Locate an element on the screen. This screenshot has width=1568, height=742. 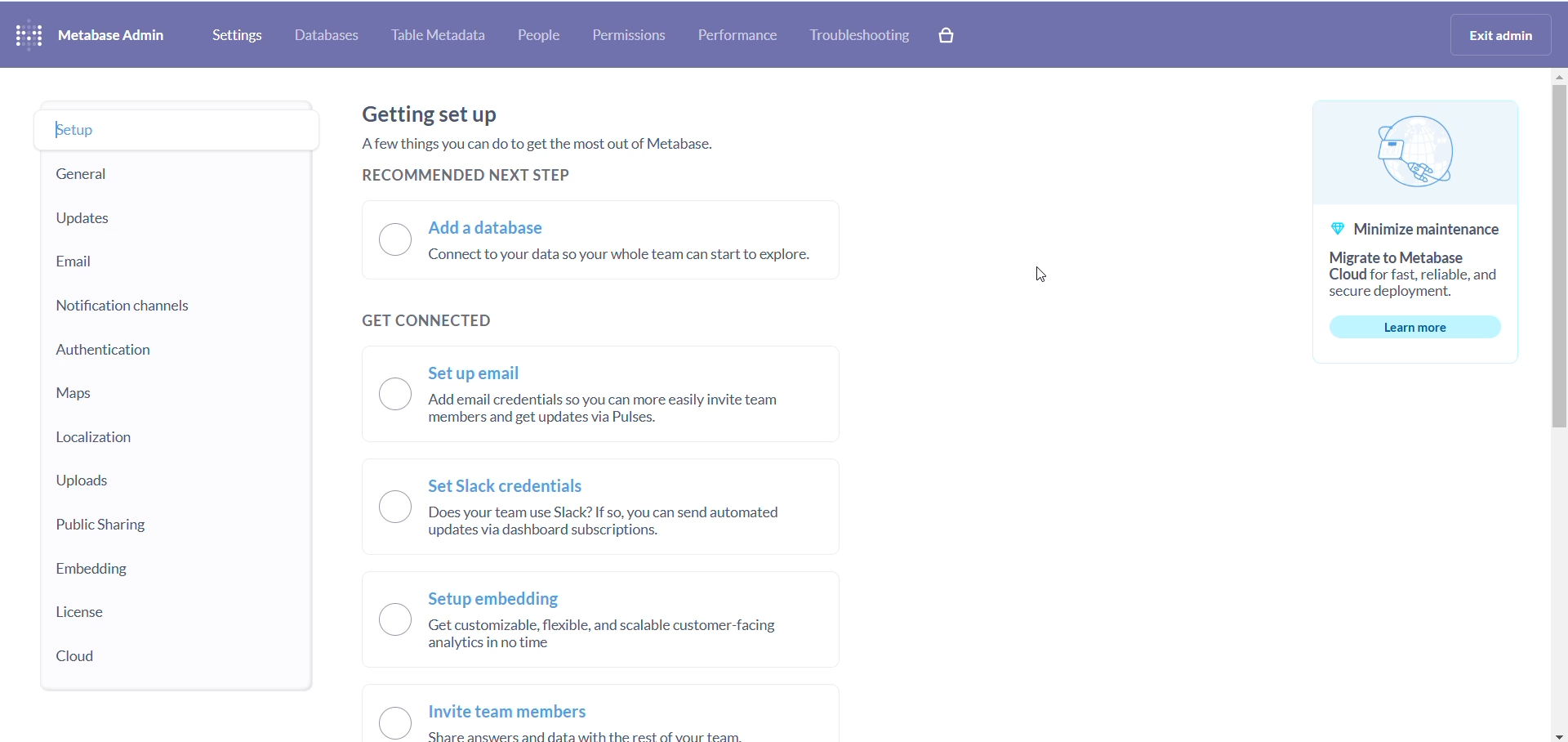
databases is located at coordinates (327, 36).